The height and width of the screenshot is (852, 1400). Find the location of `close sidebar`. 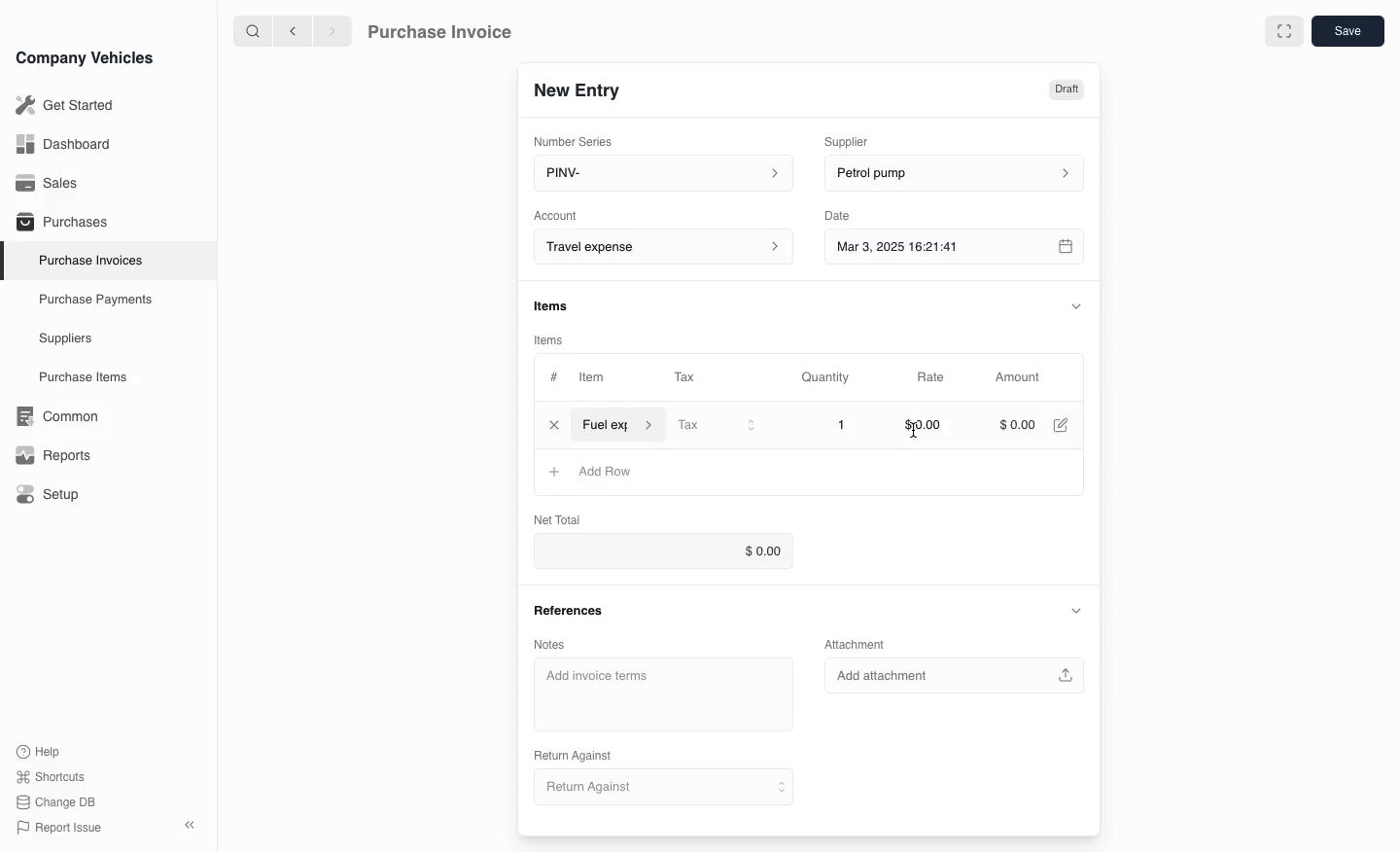

close sidebar is located at coordinates (192, 823).